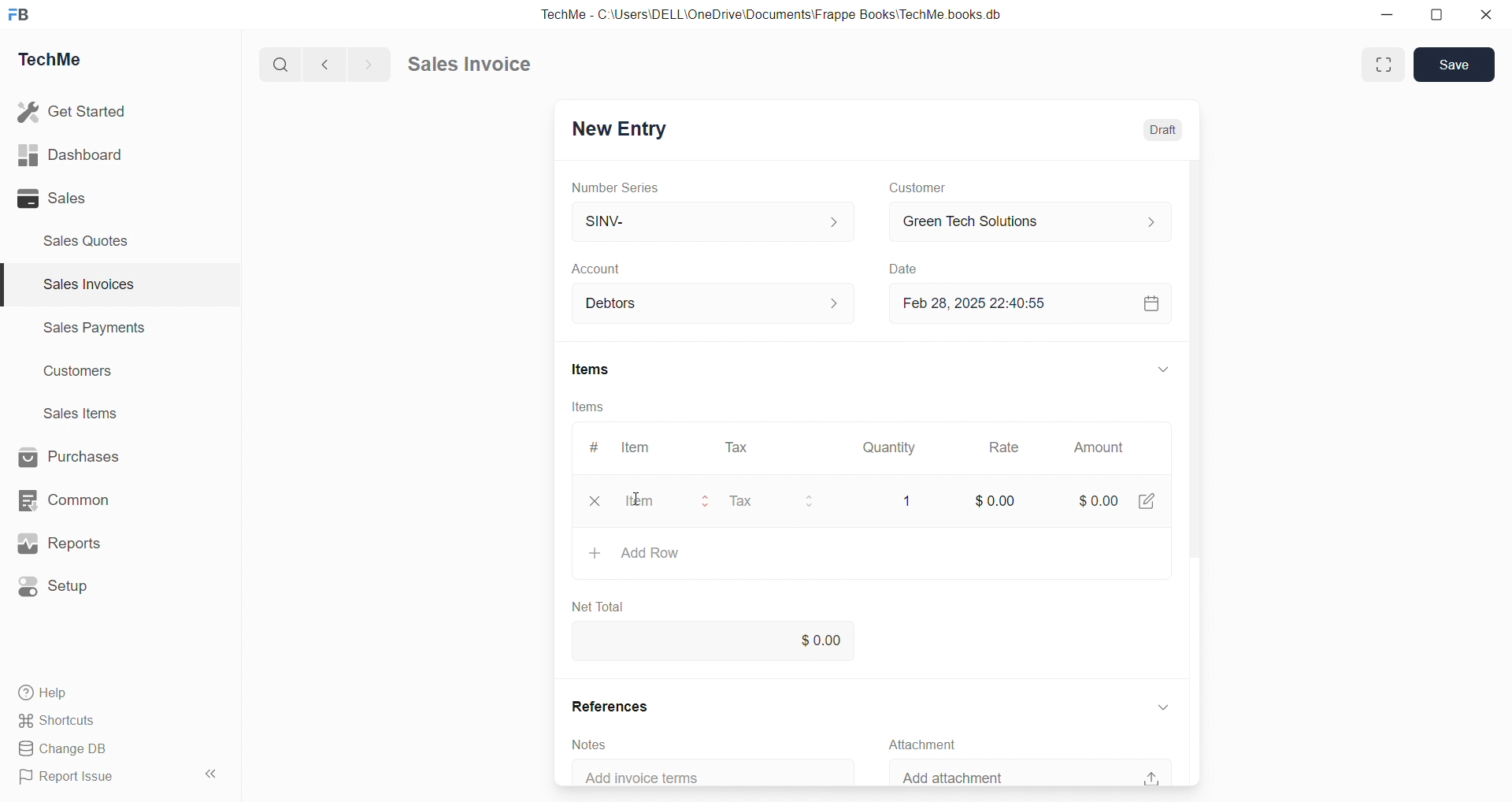  I want to click on Dashboard, so click(70, 154).